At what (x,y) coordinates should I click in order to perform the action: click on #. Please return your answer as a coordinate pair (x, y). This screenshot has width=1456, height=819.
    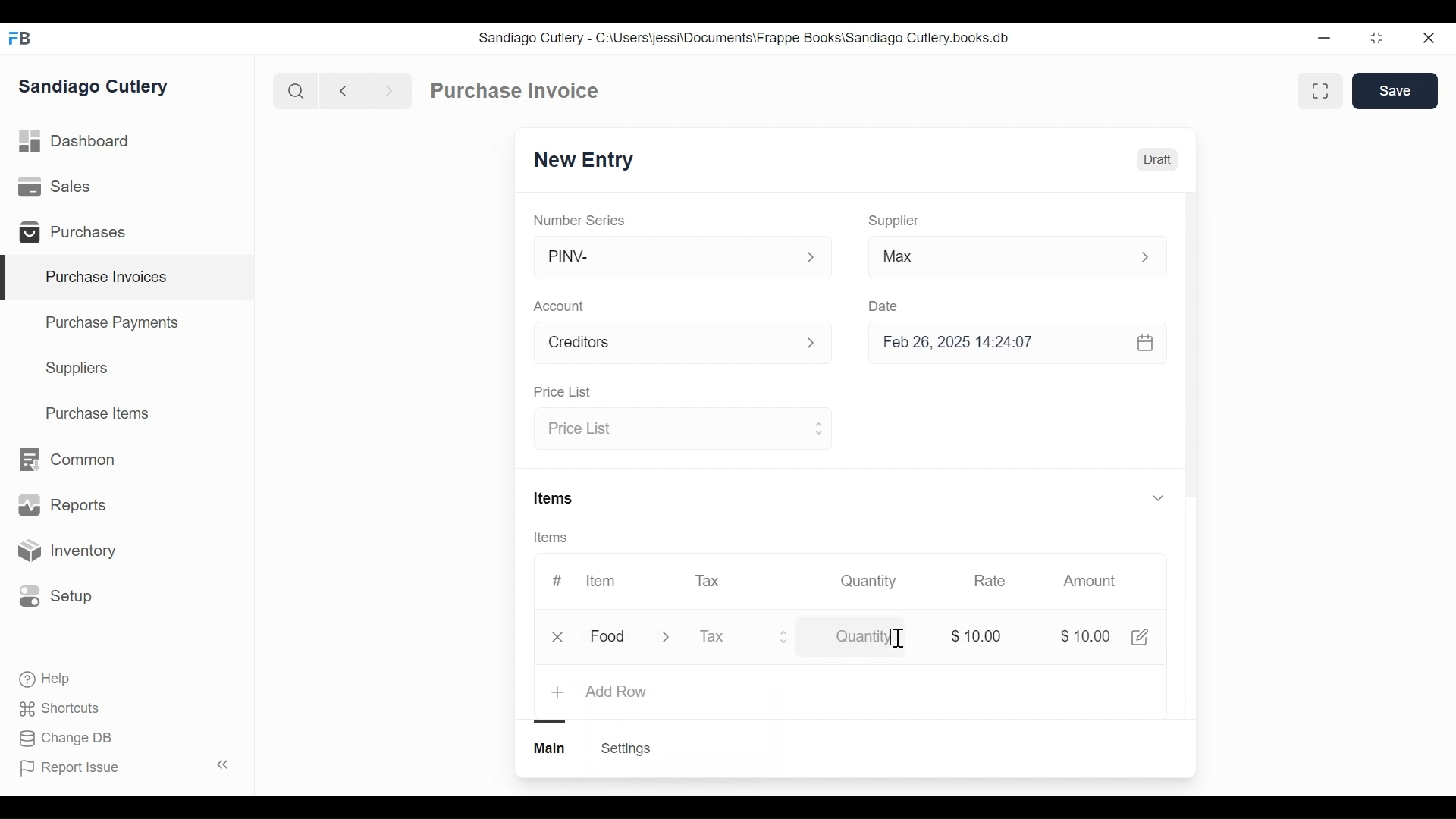
    Looking at the image, I should click on (557, 580).